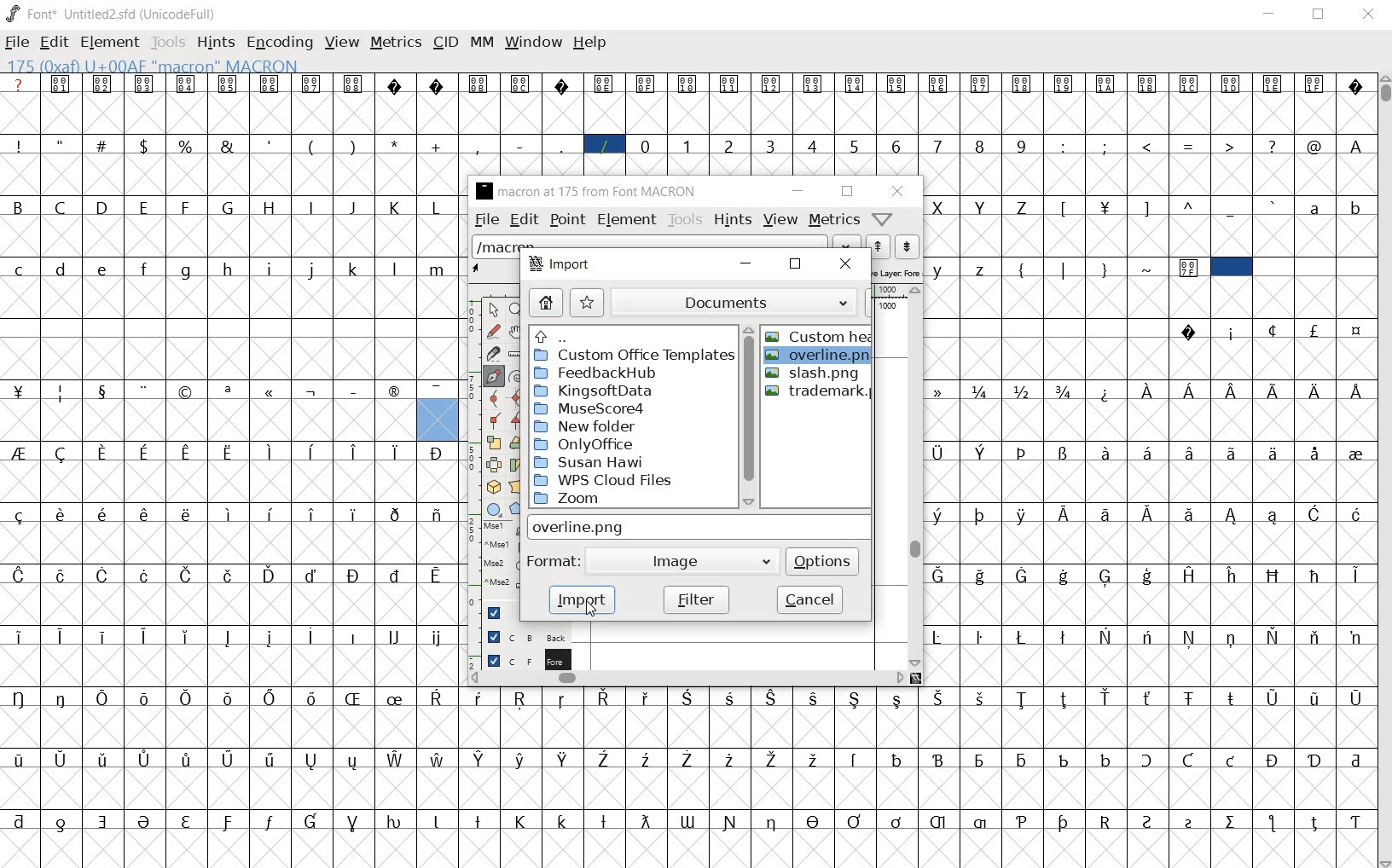 The width and height of the screenshot is (1392, 868). What do you see at coordinates (279, 43) in the screenshot?
I see `encoding` at bounding box center [279, 43].